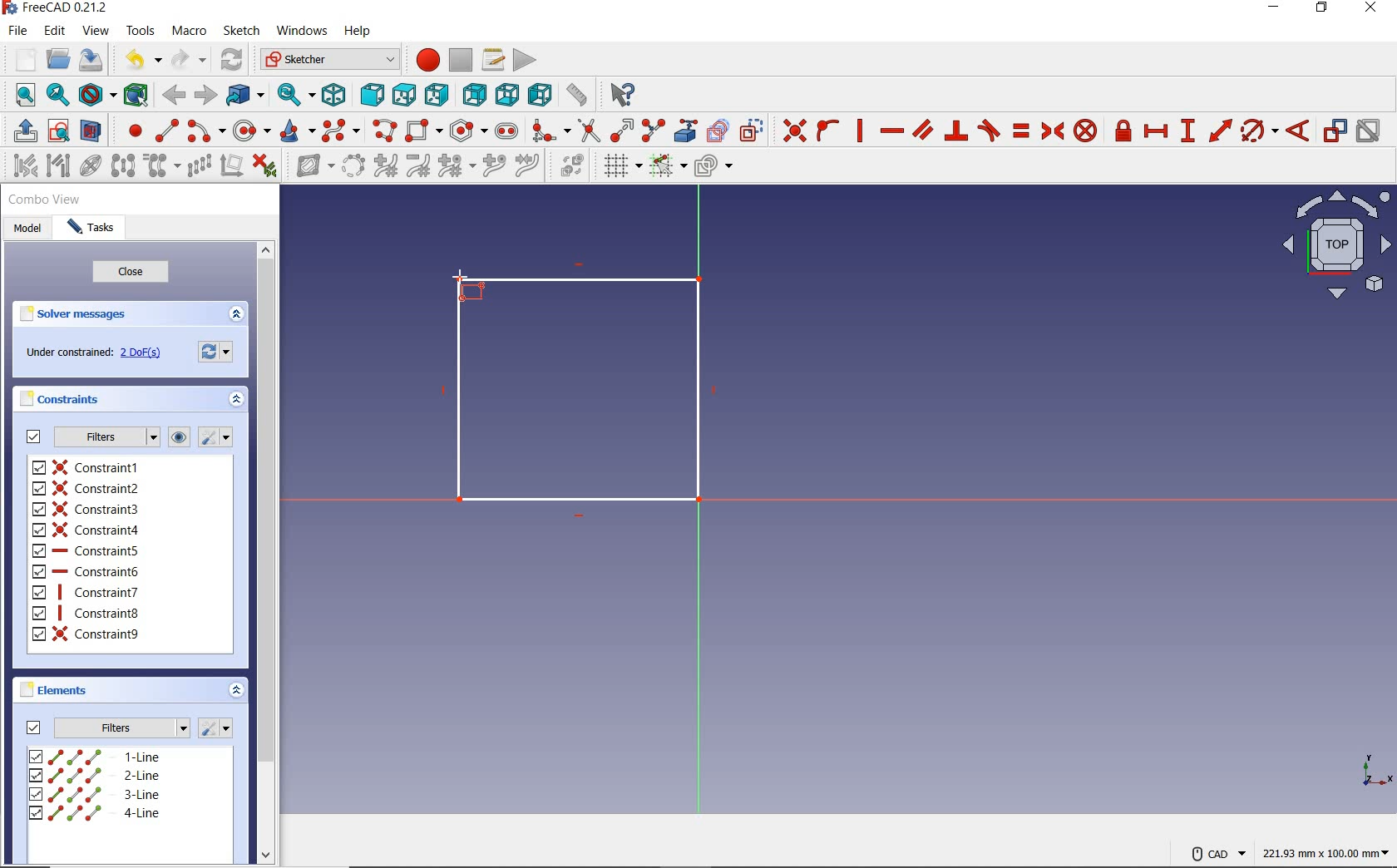  What do you see at coordinates (115, 467) in the screenshot?
I see `constraint1` at bounding box center [115, 467].